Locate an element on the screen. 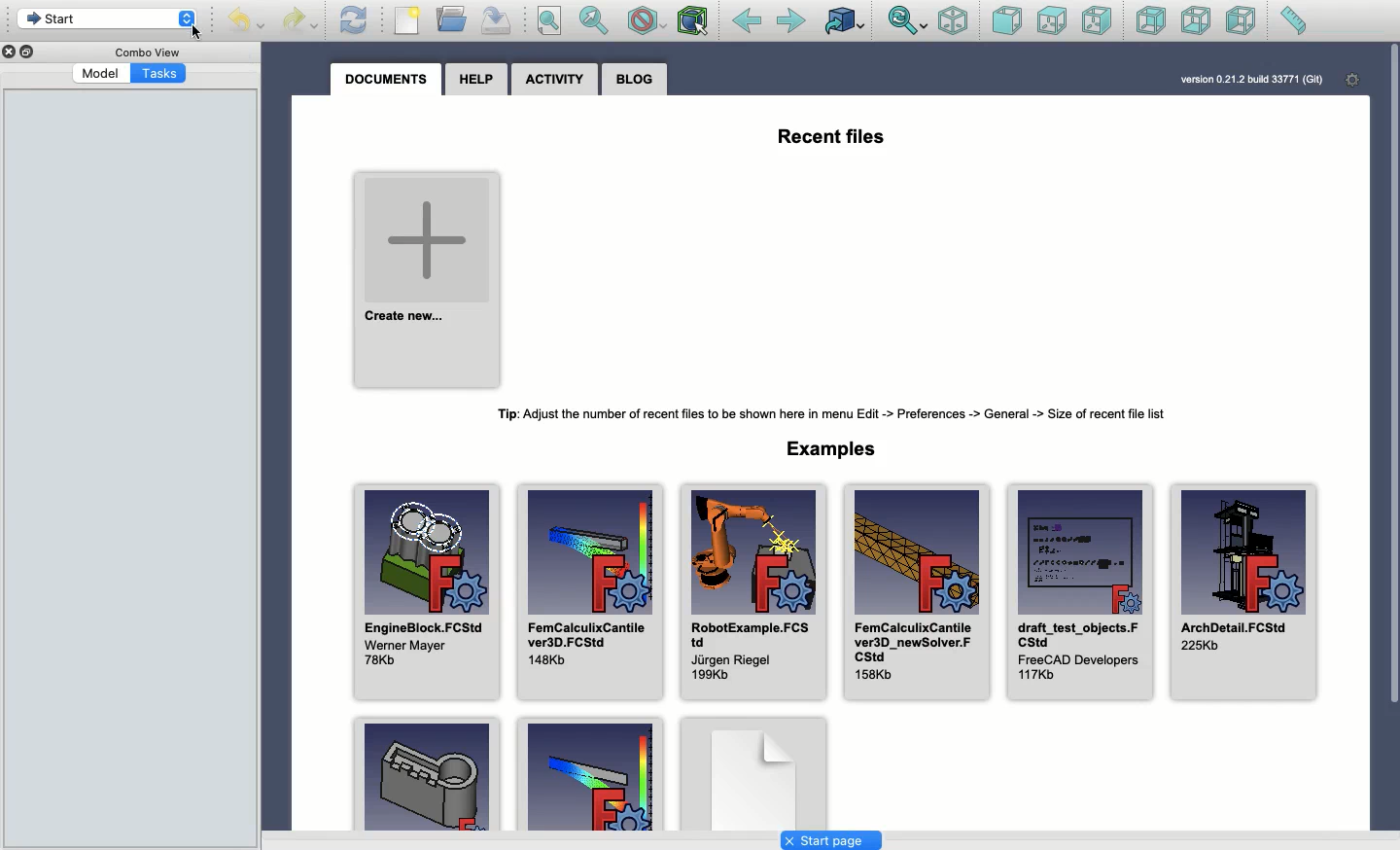  version 0.21.2 bud 33771 (Git) is located at coordinates (1250, 79).